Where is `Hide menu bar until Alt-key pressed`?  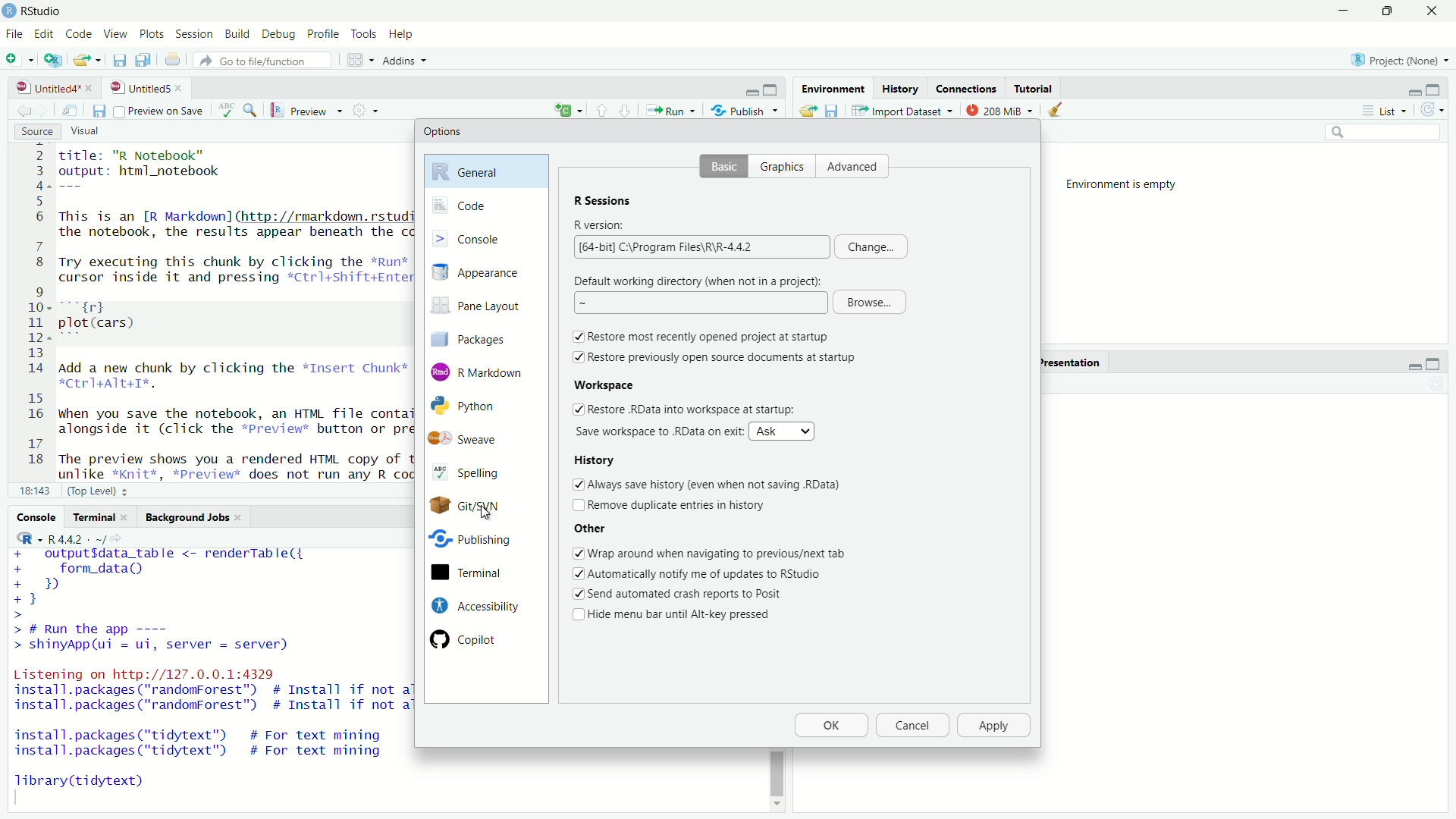 Hide menu bar until Alt-key pressed is located at coordinates (685, 616).